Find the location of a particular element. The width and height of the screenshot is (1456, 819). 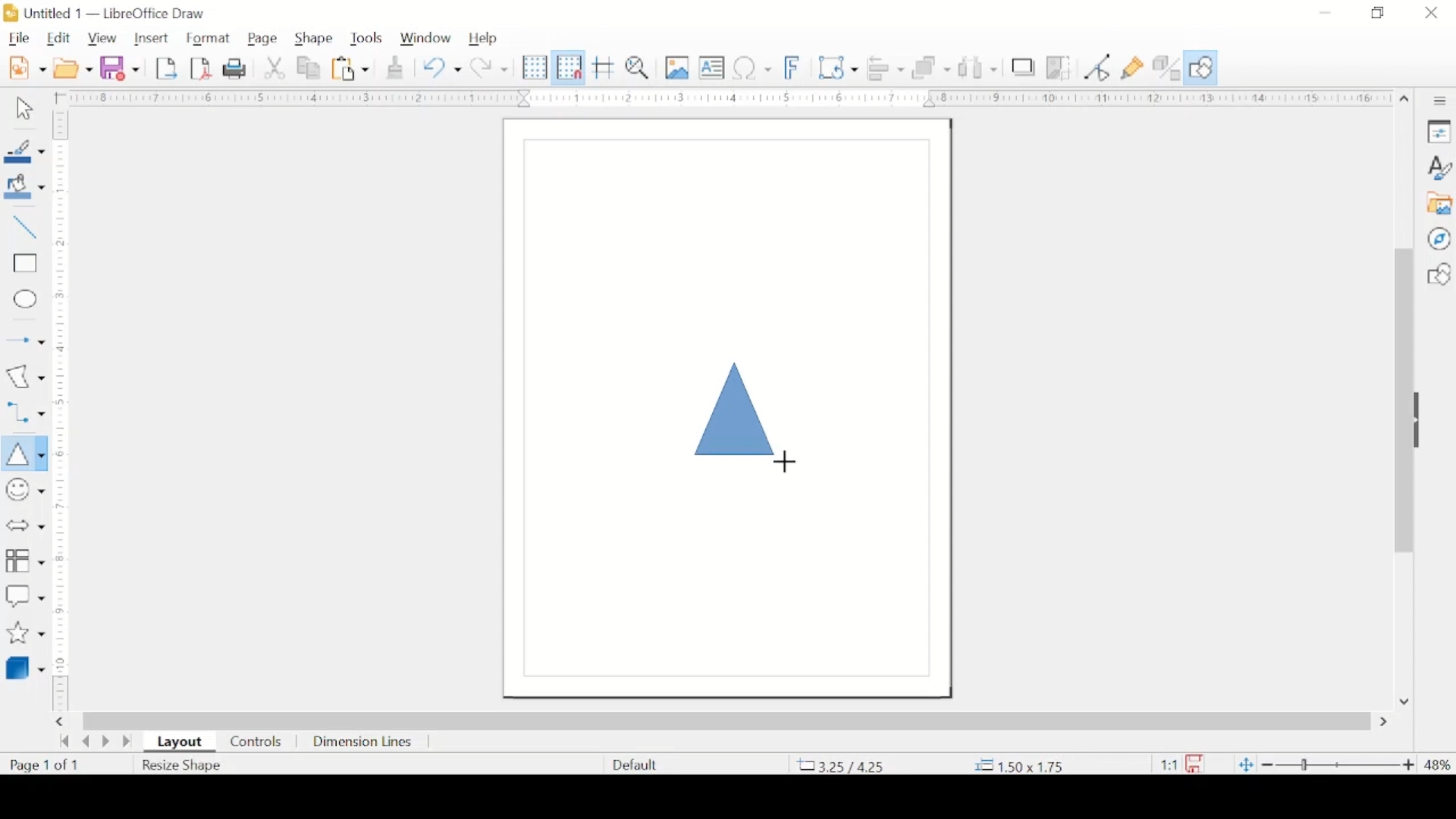

scroll right is located at coordinates (62, 721).